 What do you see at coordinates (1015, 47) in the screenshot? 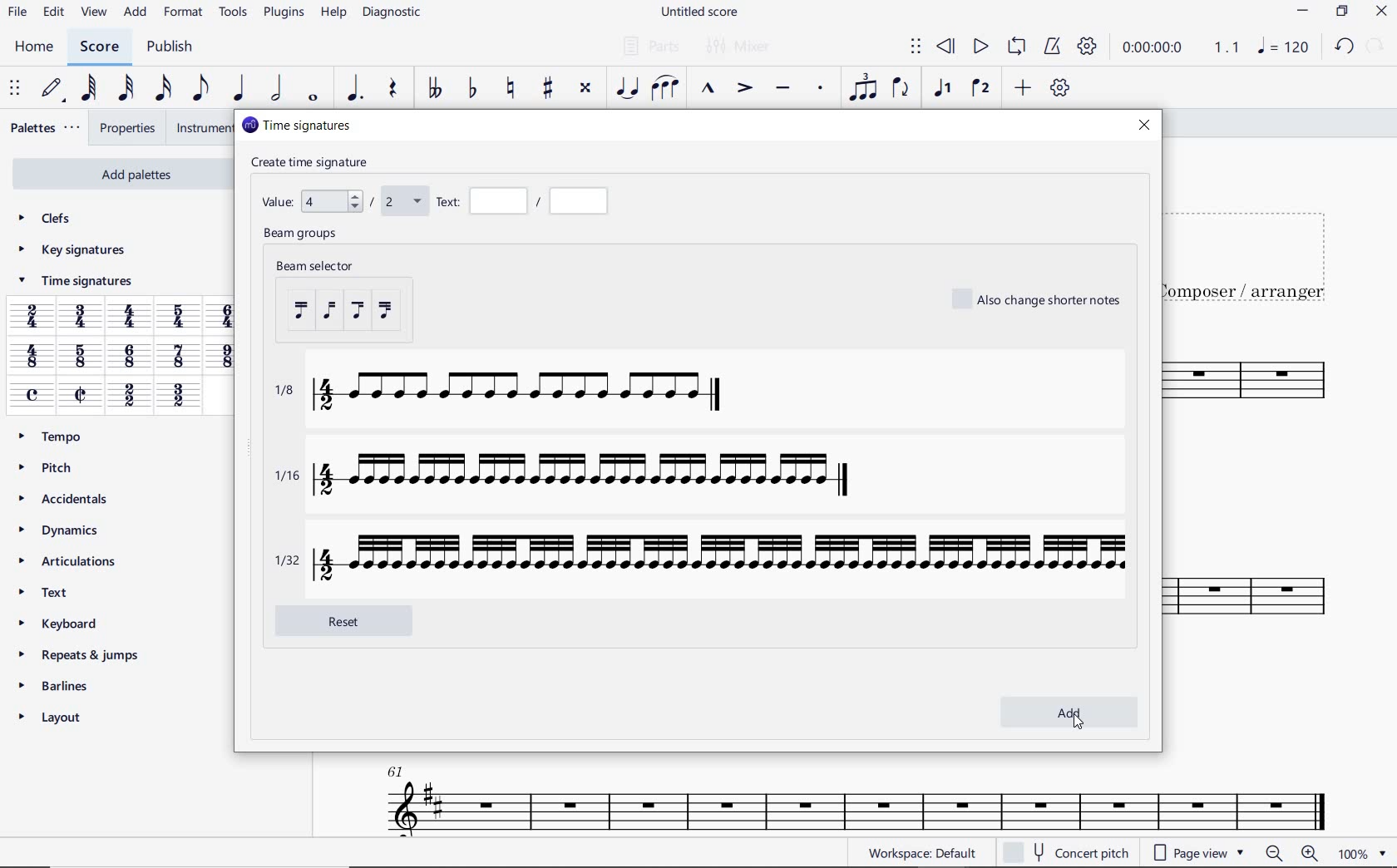
I see `LOOP PLAYBACK` at bounding box center [1015, 47].